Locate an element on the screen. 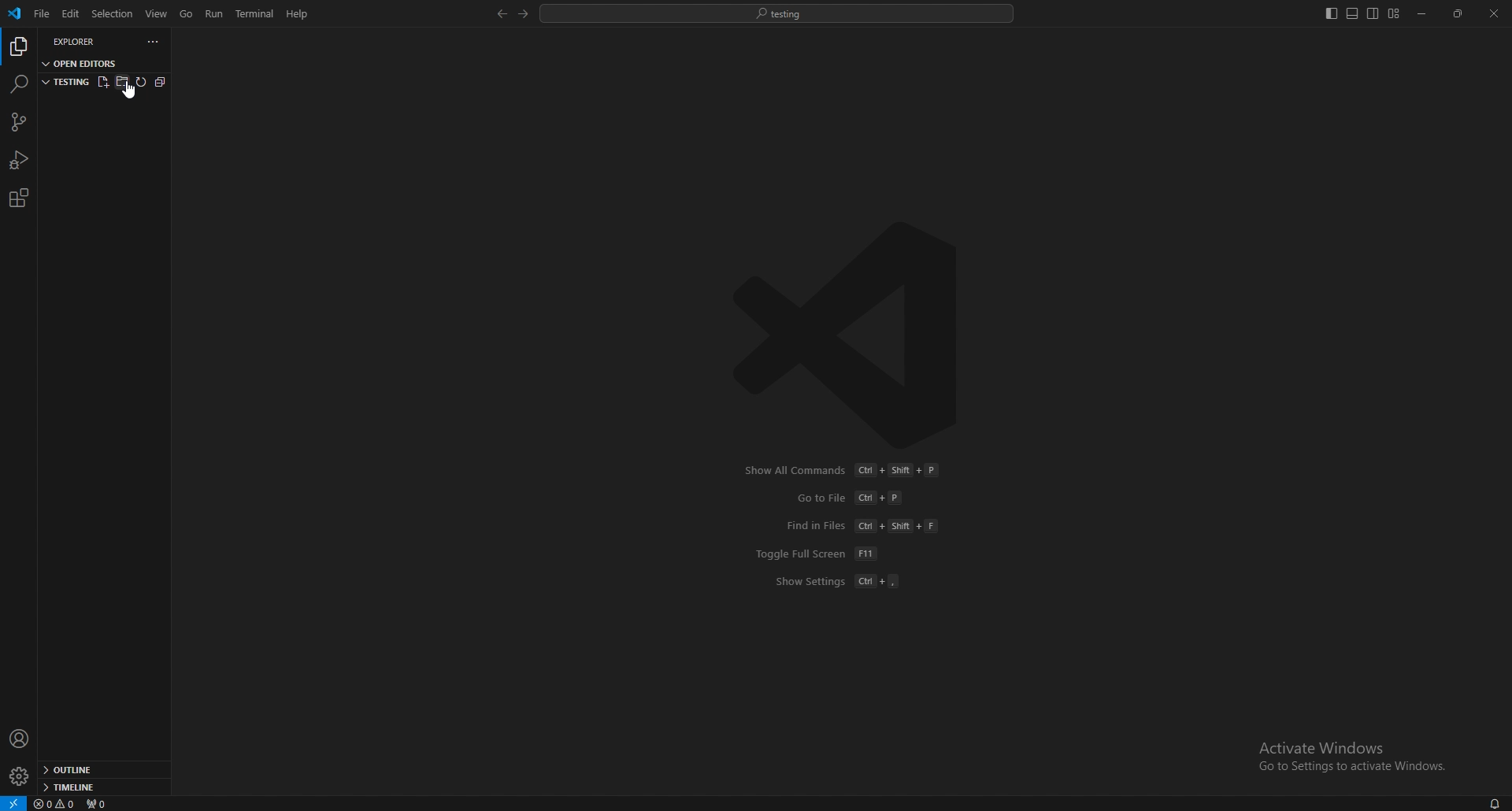  open editors is located at coordinates (82, 62).